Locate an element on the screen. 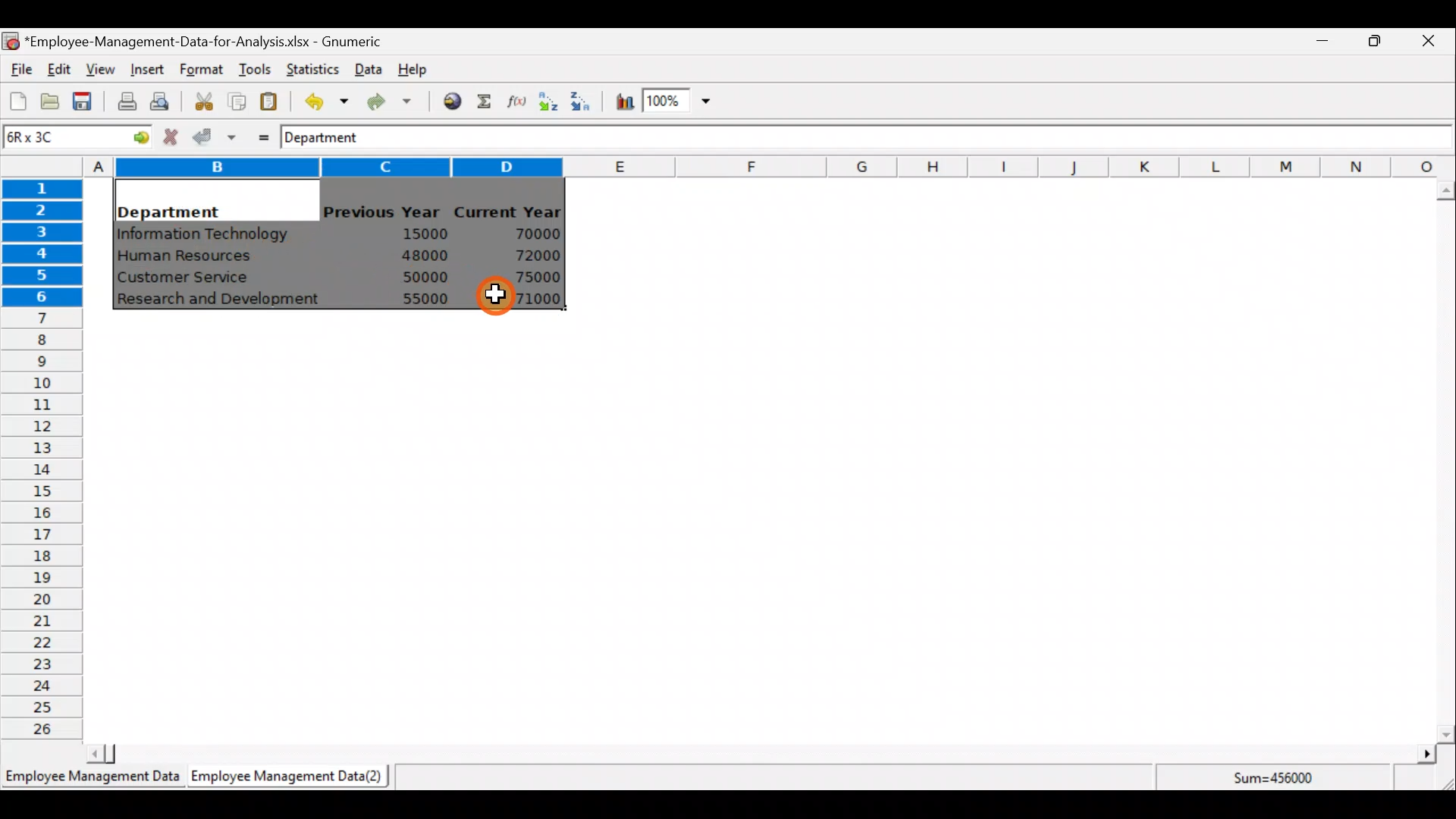 Image resolution: width=1456 pixels, height=819 pixels. Redo undone action is located at coordinates (386, 102).